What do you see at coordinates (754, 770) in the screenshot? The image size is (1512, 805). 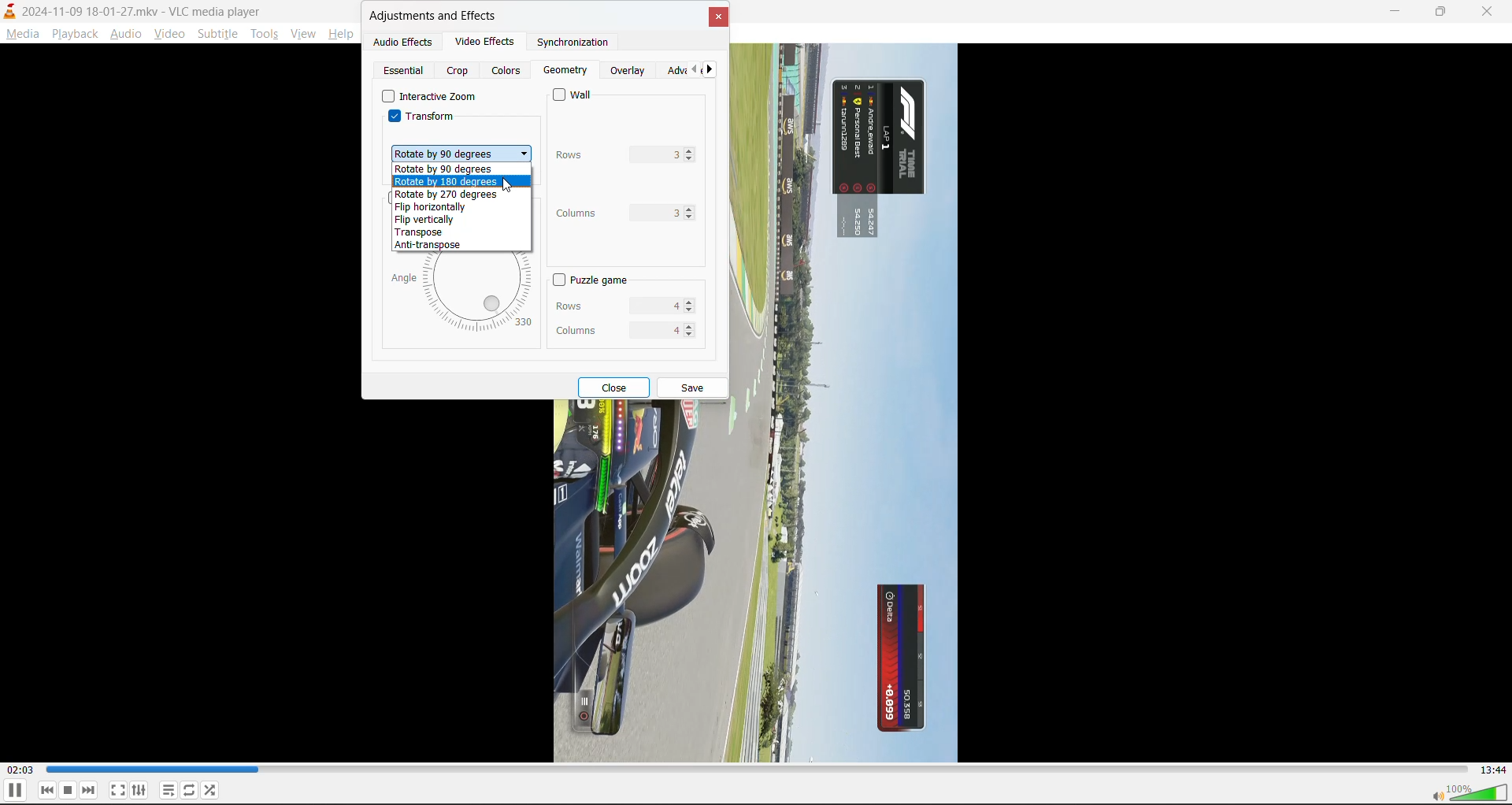 I see `track slider` at bounding box center [754, 770].